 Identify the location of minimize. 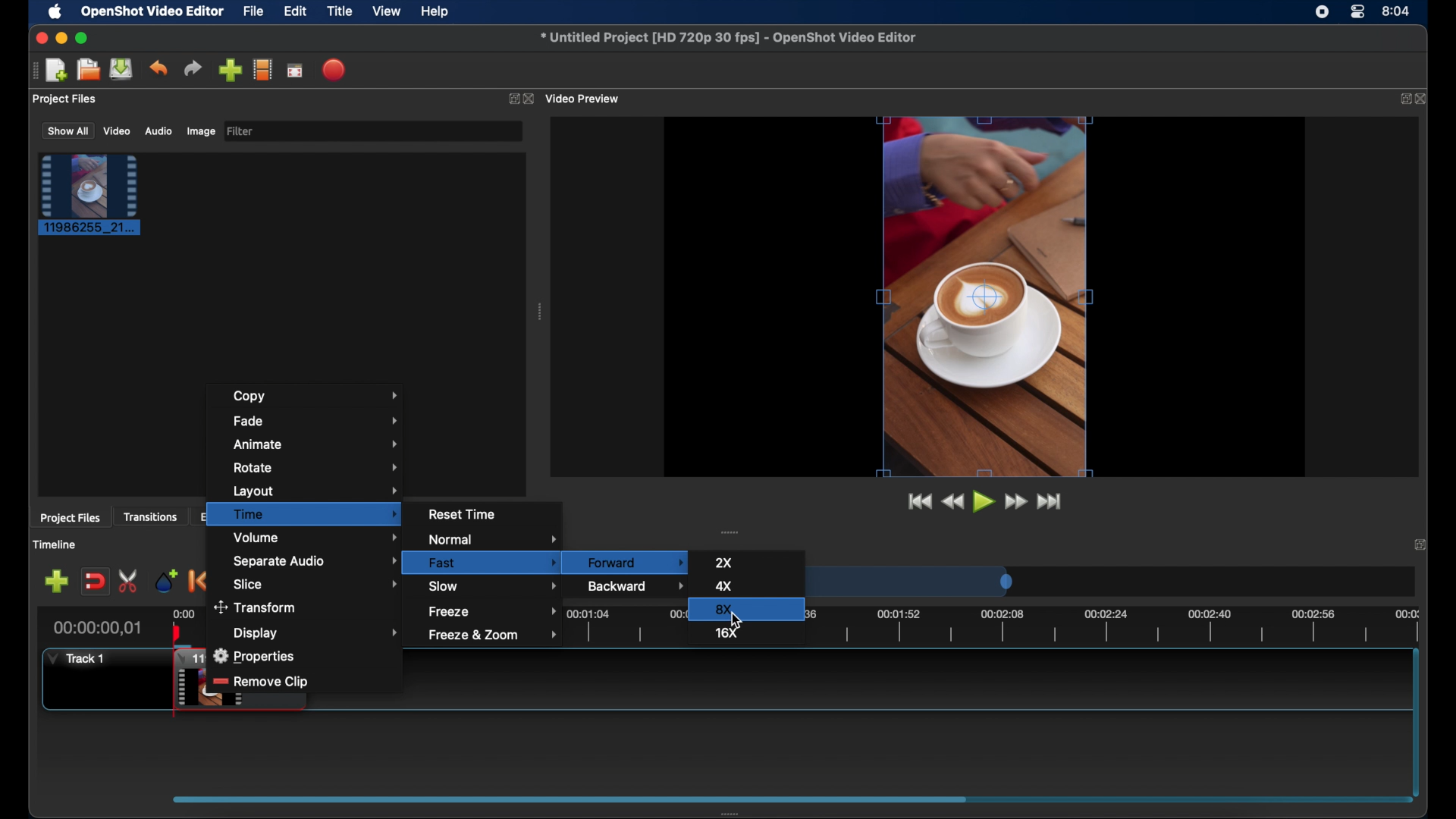
(61, 38).